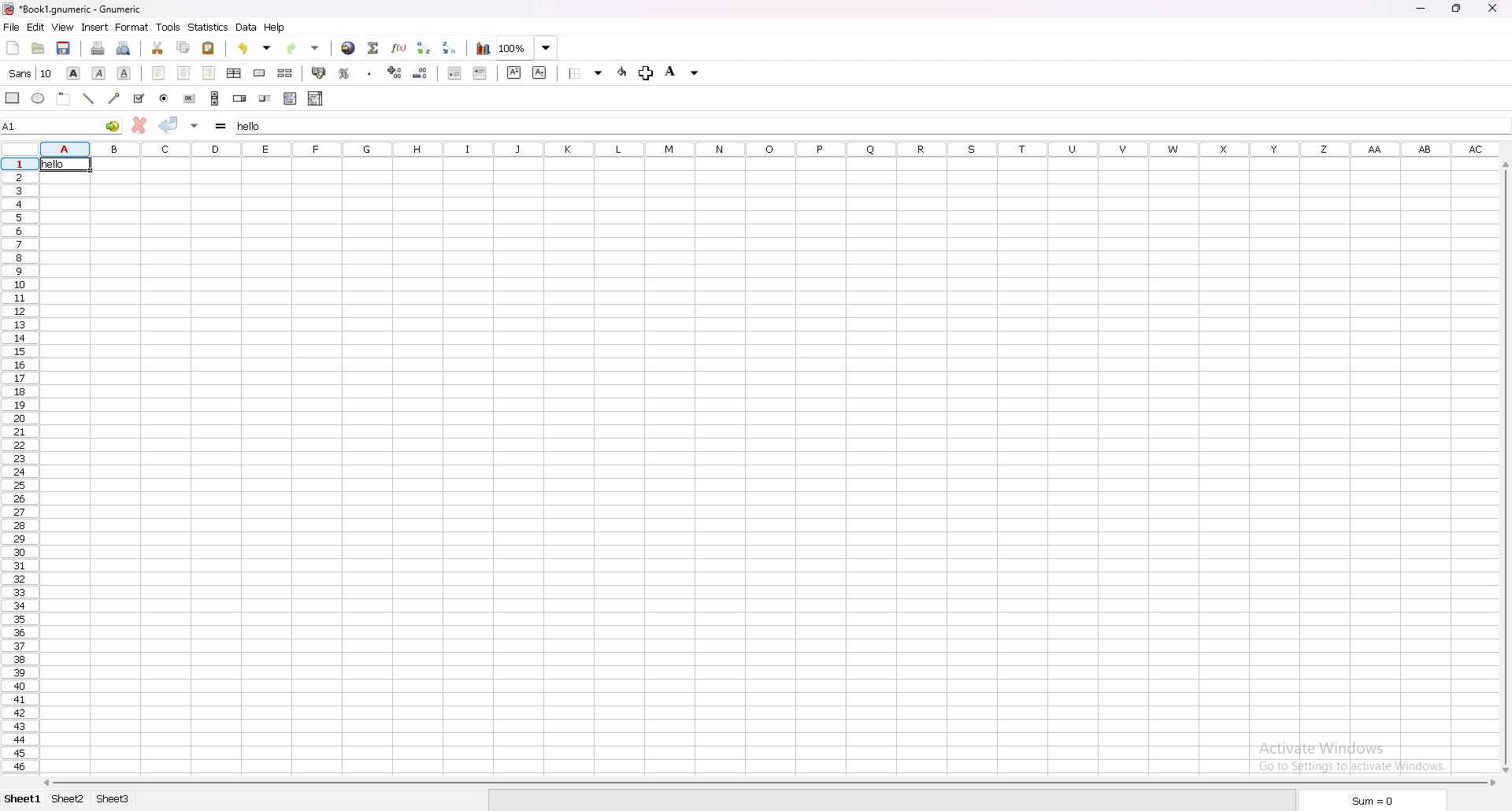 The width and height of the screenshot is (1512, 811). I want to click on spin button, so click(239, 98).